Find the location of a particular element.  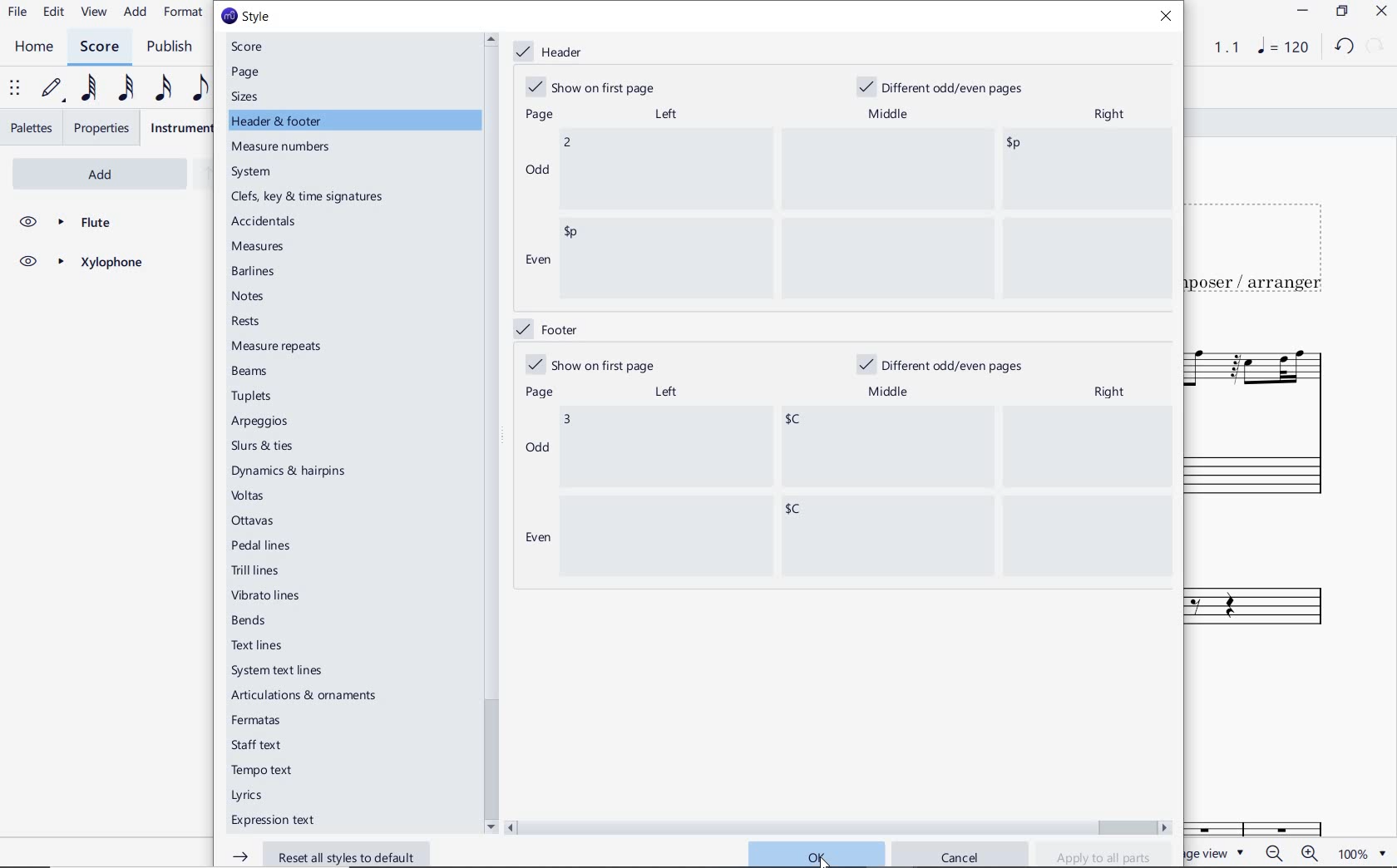

header marked is located at coordinates (552, 52).